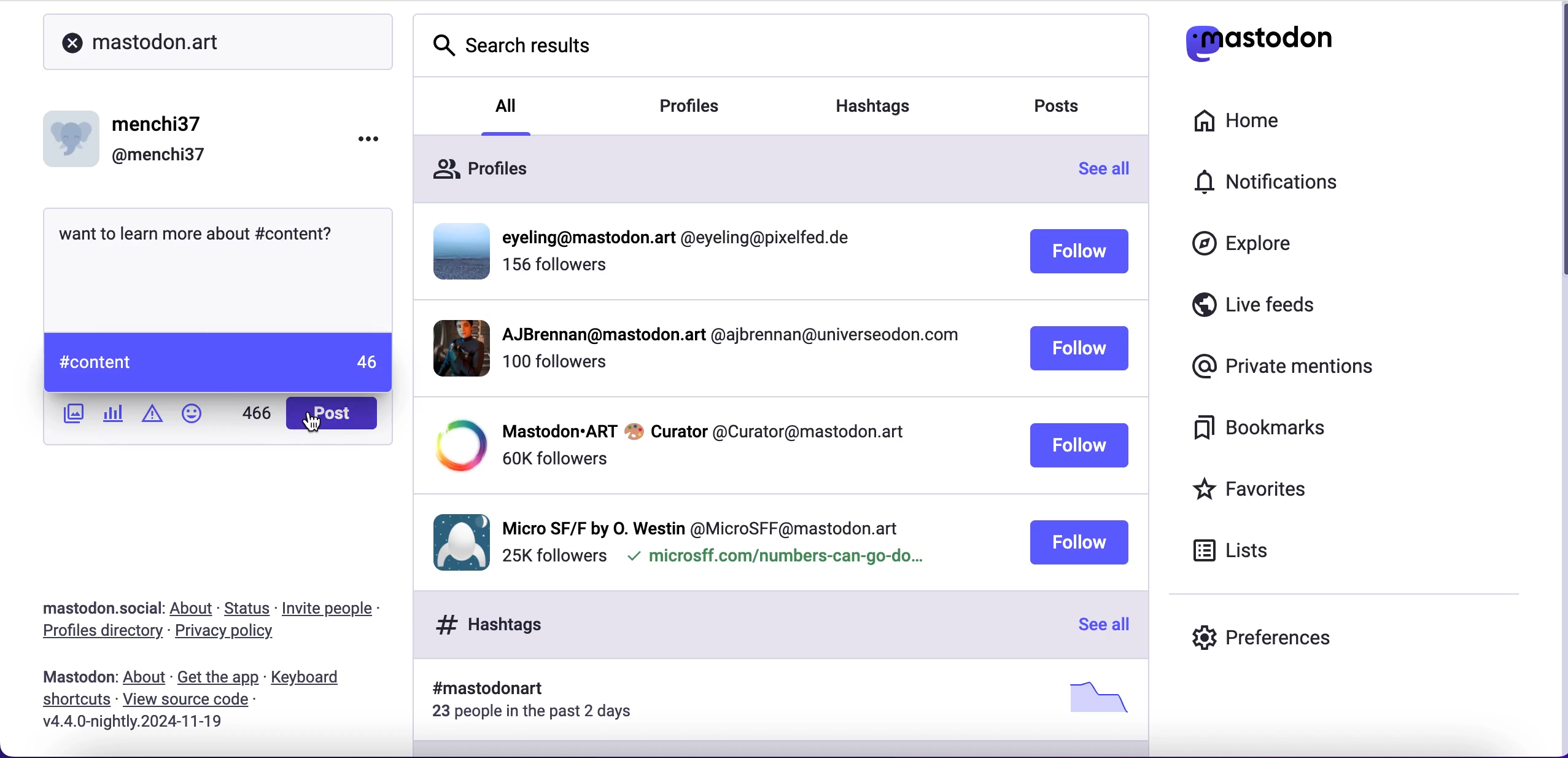 Image resolution: width=1568 pixels, height=758 pixels. Describe the element at coordinates (314, 423) in the screenshot. I see `cursor` at that location.